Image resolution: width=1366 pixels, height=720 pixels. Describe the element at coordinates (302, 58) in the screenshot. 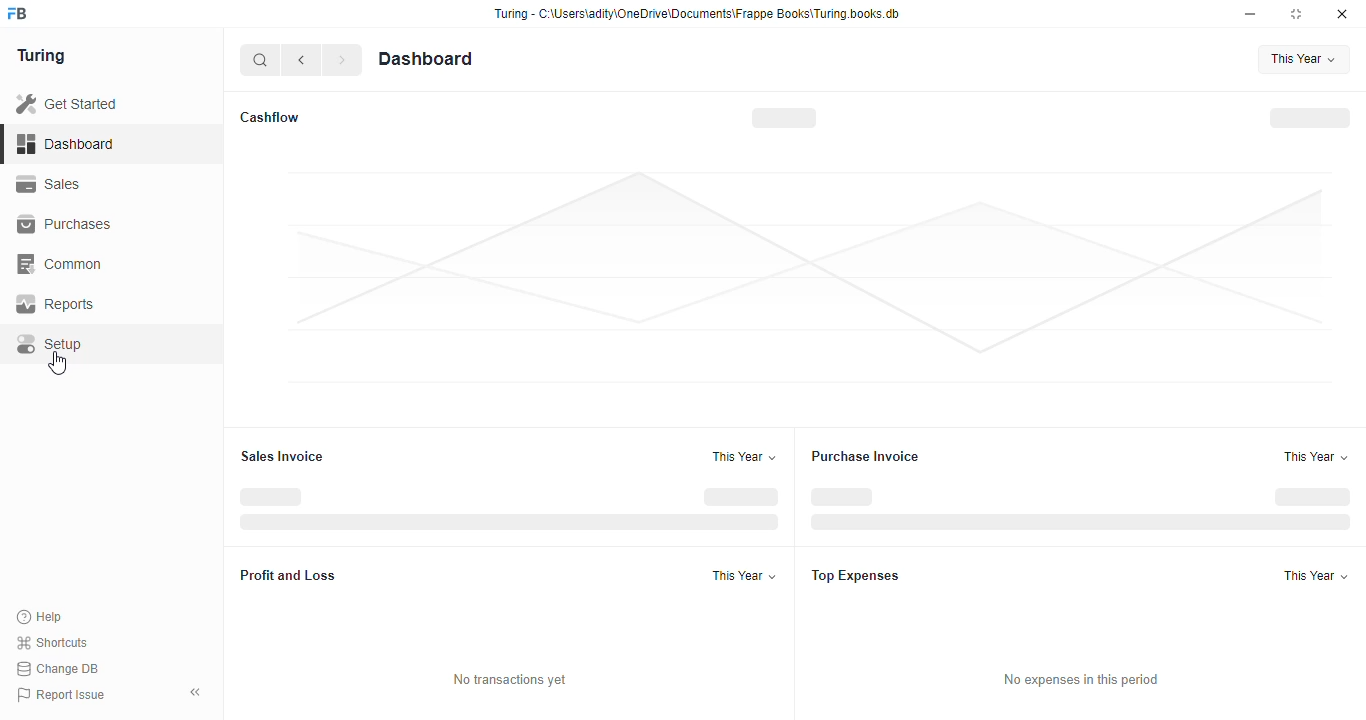

I see `go back` at that location.